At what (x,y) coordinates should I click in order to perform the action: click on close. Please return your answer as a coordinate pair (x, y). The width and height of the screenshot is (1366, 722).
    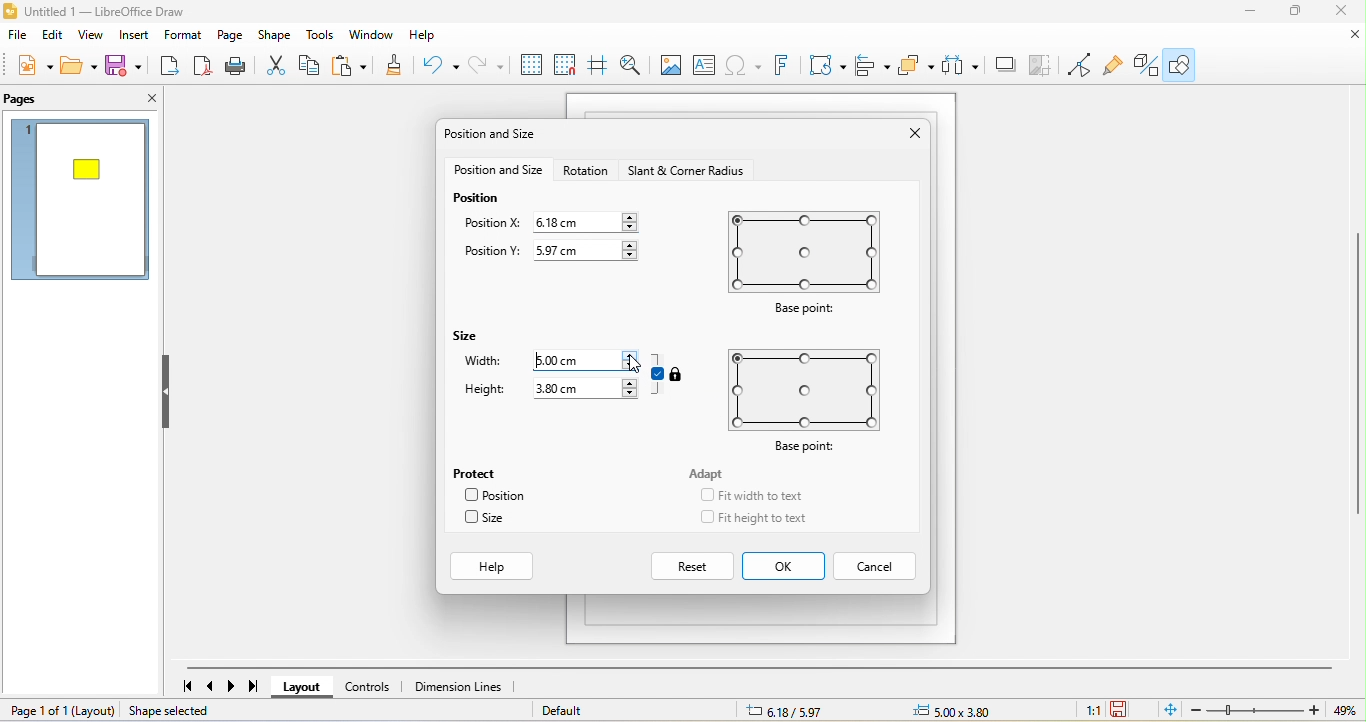
    Looking at the image, I should click on (1344, 14).